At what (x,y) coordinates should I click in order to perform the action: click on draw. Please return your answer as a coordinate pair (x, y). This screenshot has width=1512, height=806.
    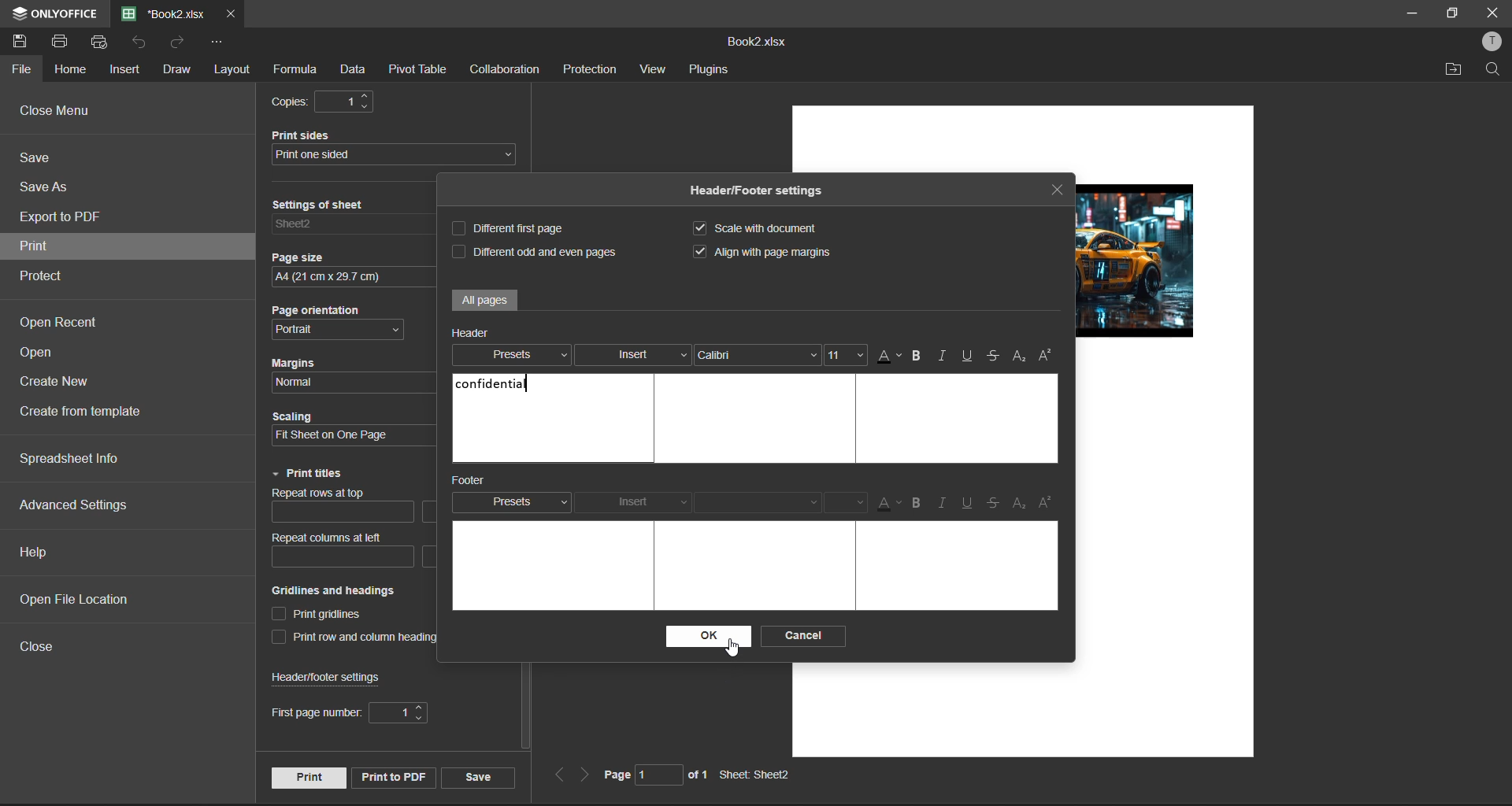
    Looking at the image, I should click on (176, 68).